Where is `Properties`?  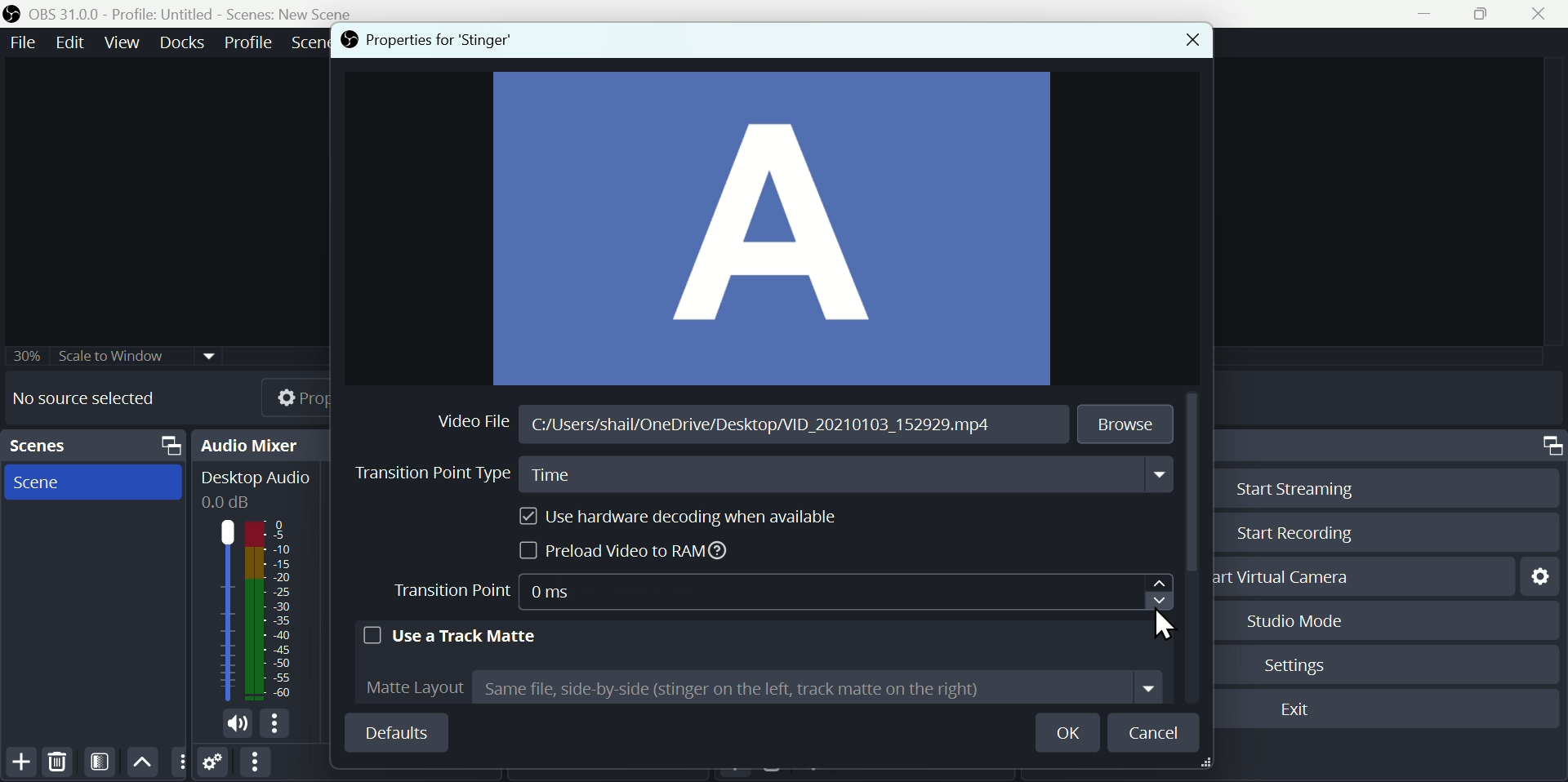 Properties is located at coordinates (282, 395).